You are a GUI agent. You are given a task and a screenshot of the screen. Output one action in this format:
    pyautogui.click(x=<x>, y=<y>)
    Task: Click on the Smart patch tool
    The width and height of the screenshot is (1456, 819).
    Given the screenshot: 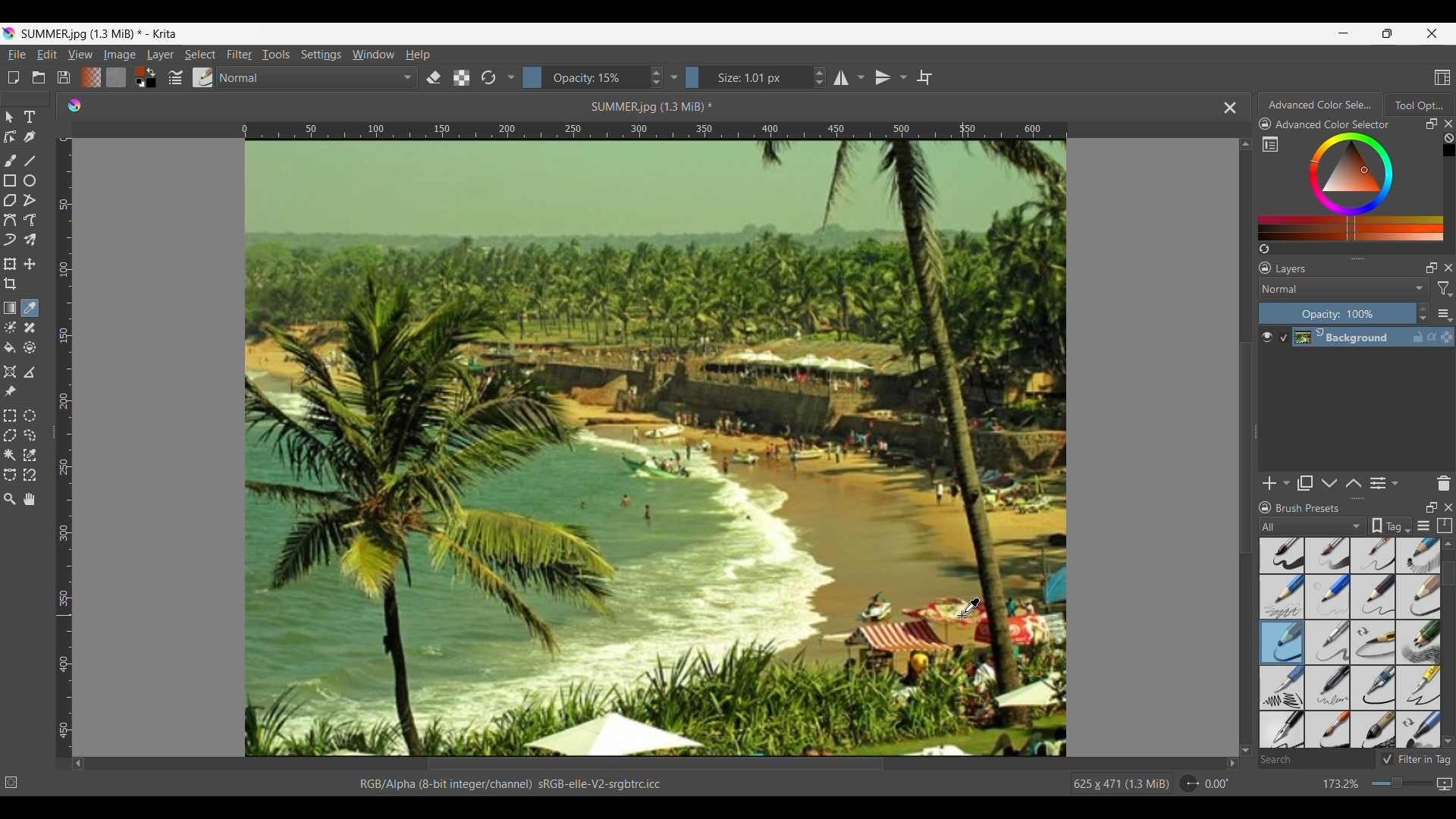 What is the action you would take?
    pyautogui.click(x=30, y=328)
    